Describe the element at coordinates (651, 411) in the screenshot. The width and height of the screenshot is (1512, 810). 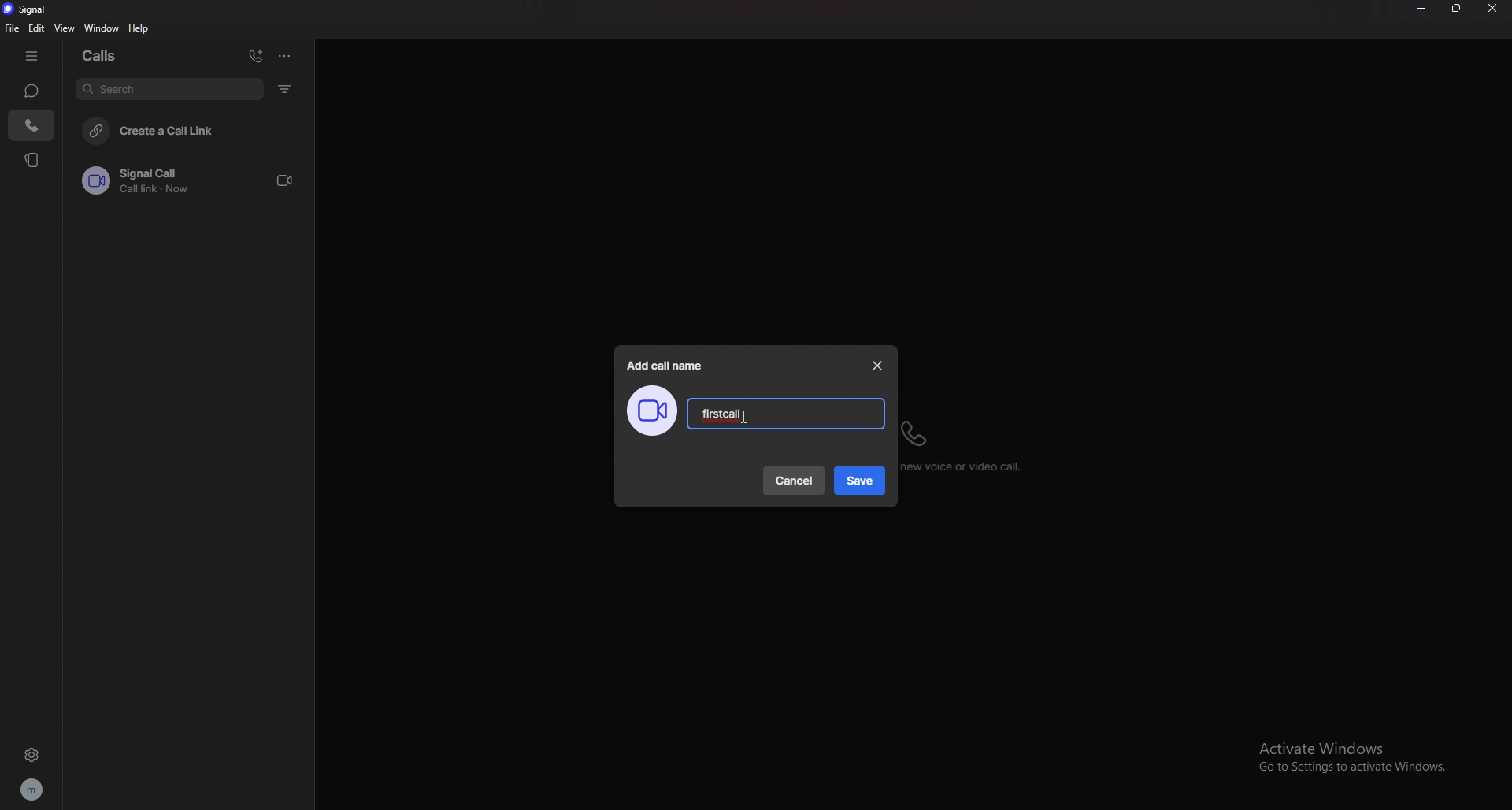
I see `call image` at that location.